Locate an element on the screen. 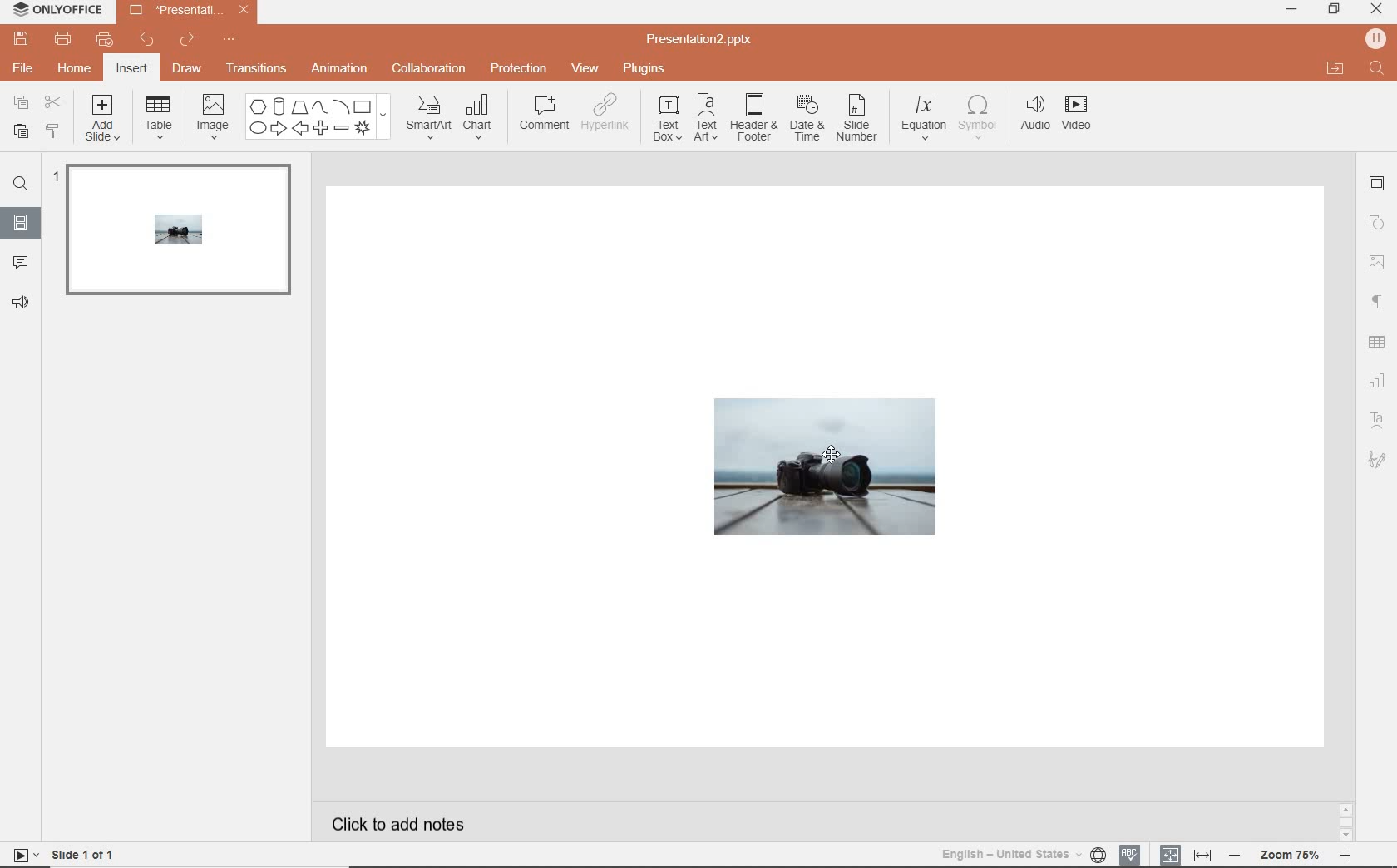  shapes is located at coordinates (1376, 221).